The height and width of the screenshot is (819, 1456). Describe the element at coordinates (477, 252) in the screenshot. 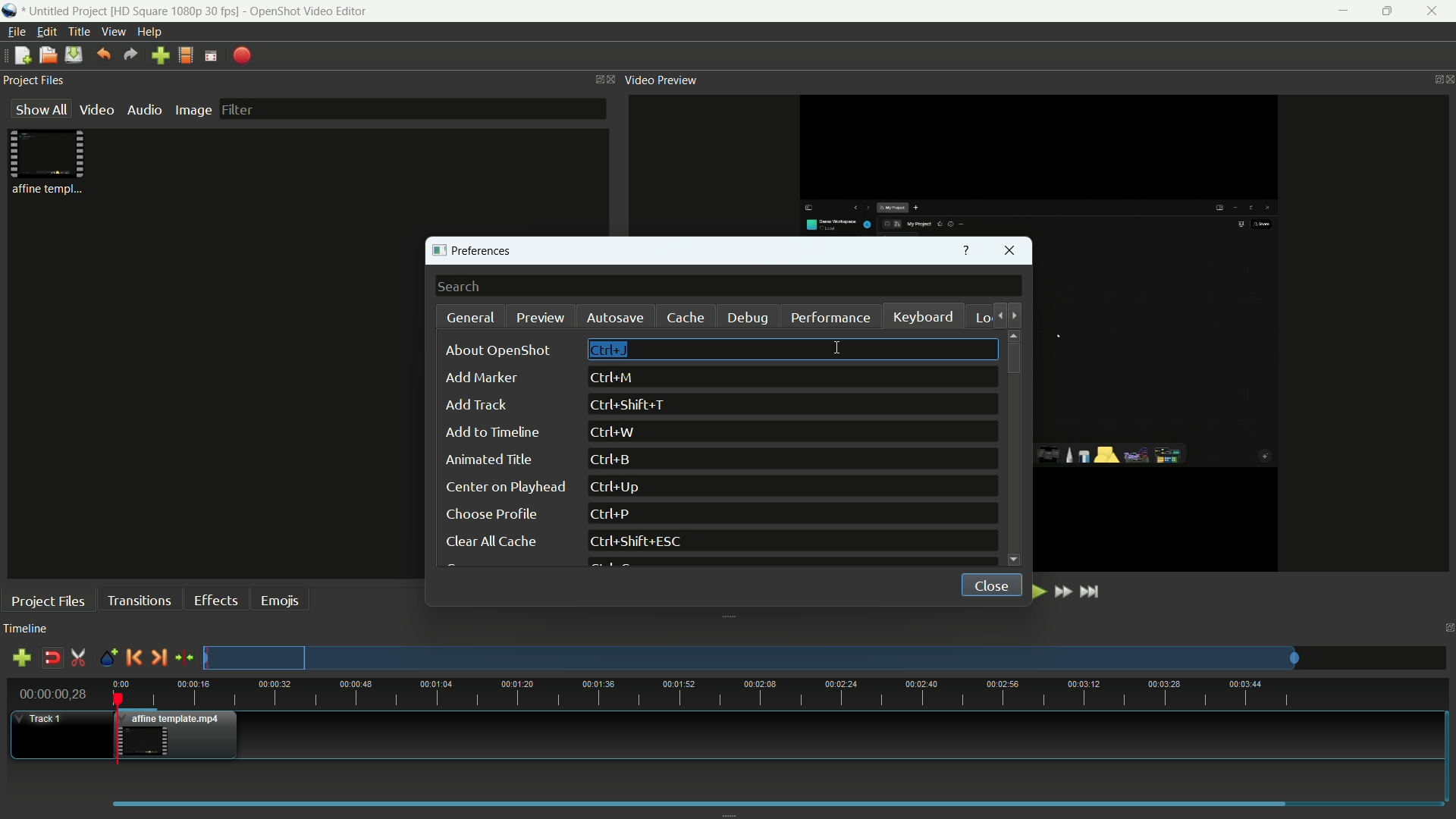

I see `preferences` at that location.